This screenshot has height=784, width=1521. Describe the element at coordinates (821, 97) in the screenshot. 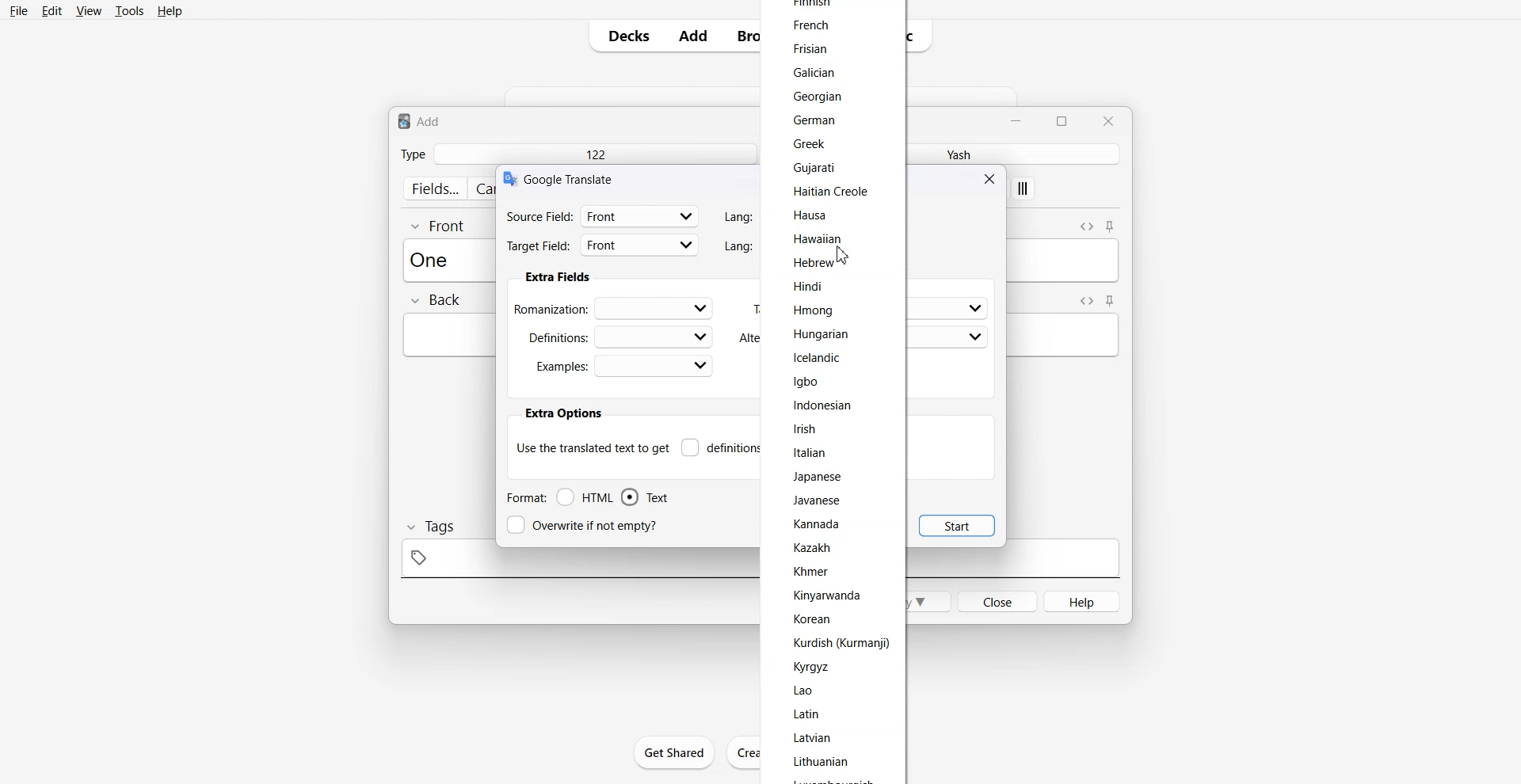

I see `‘Georgian` at that location.